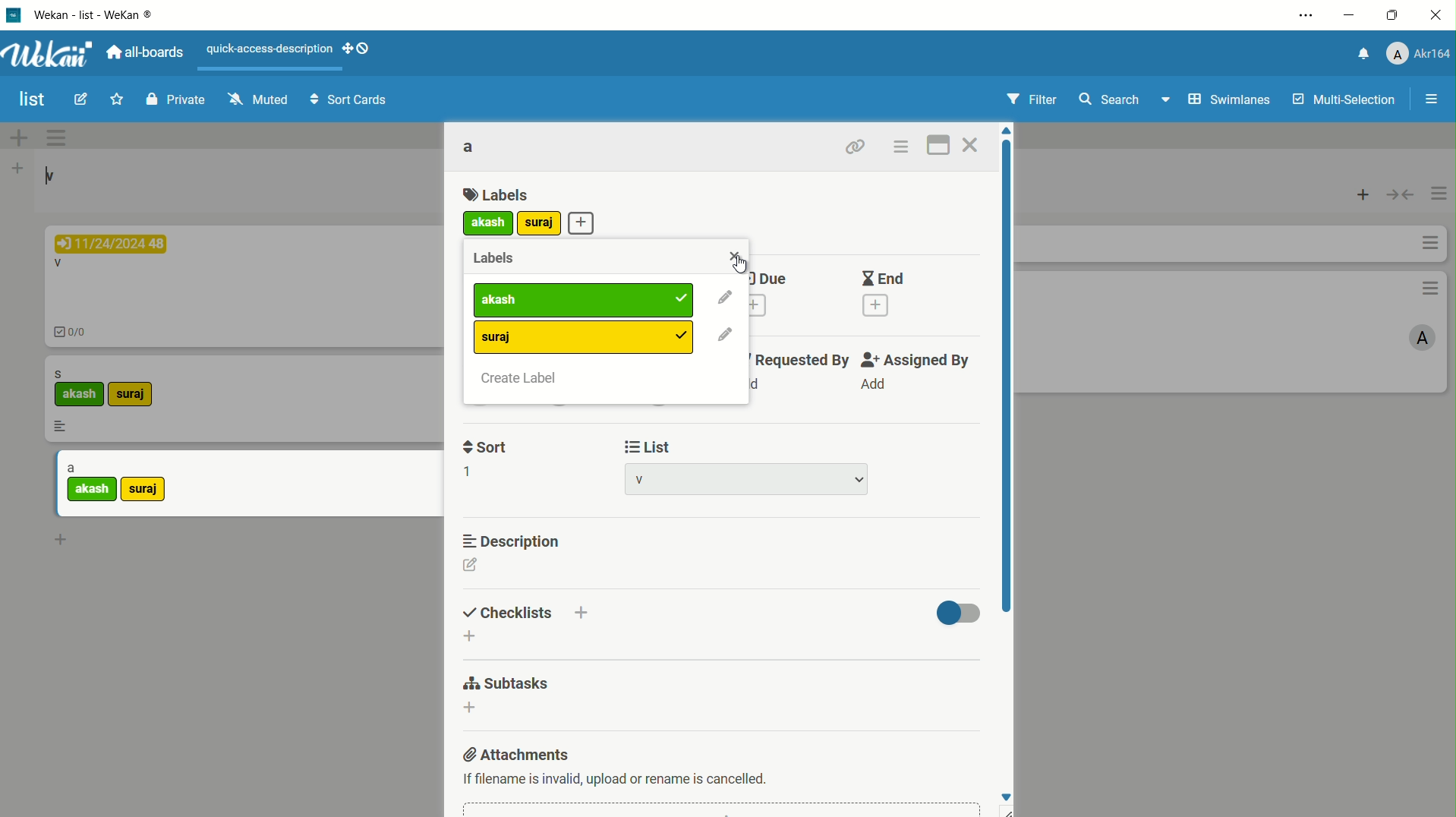  I want to click on swimlanes, so click(1218, 99).